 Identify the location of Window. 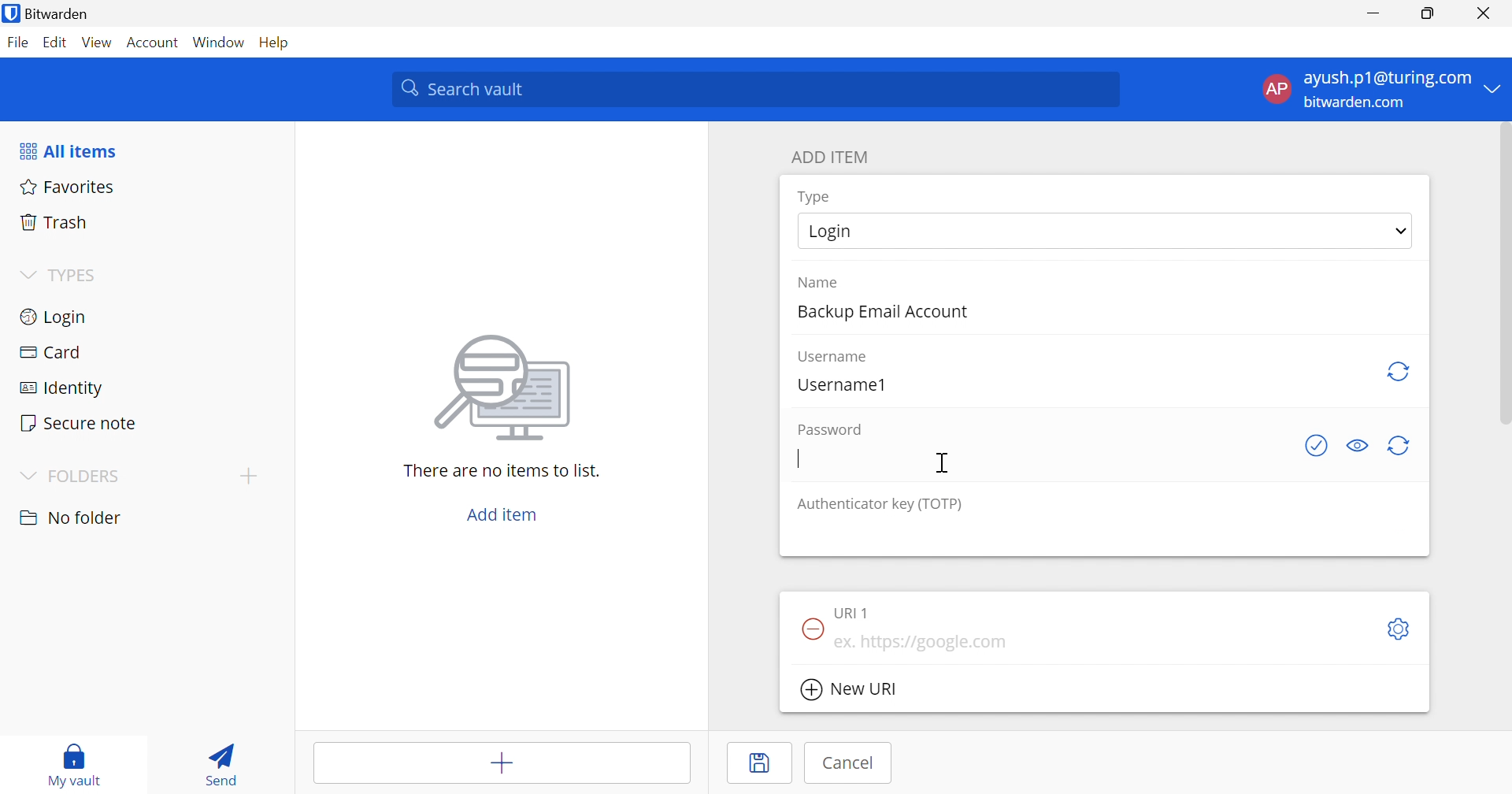
(218, 40).